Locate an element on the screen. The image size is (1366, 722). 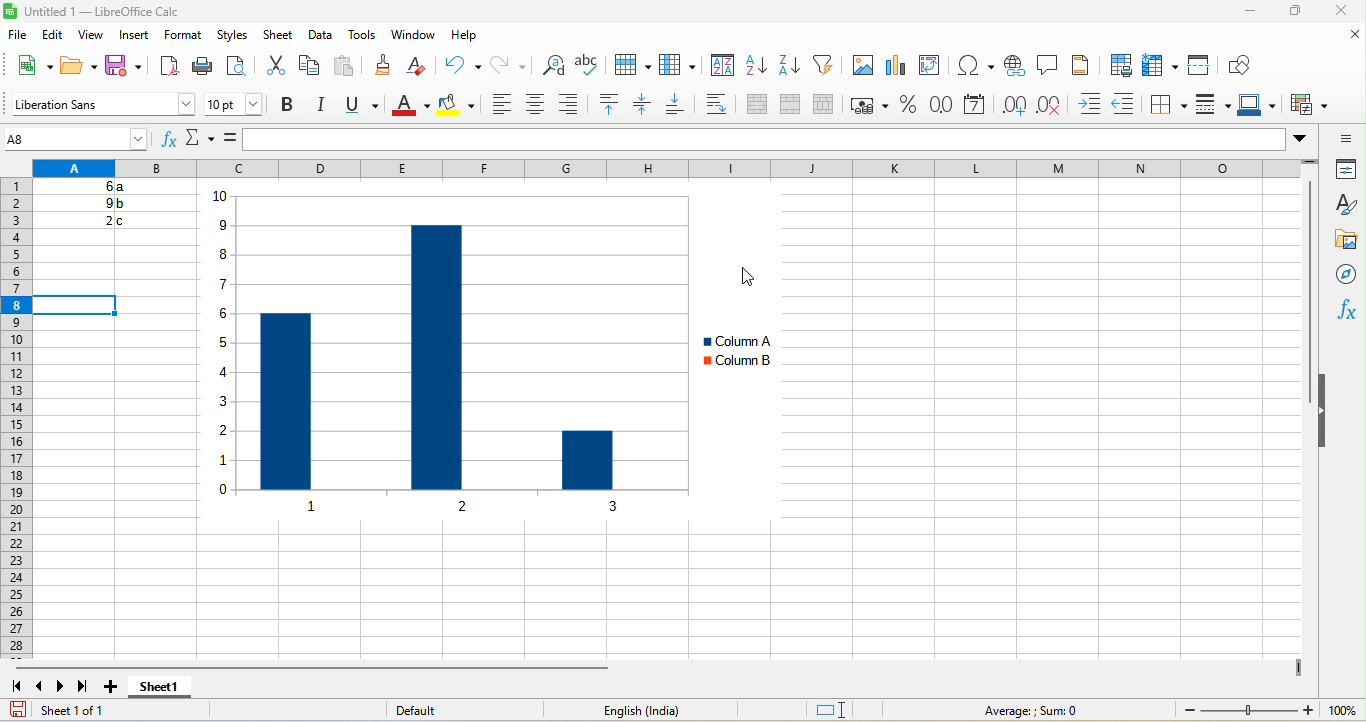
comment is located at coordinates (1049, 64).